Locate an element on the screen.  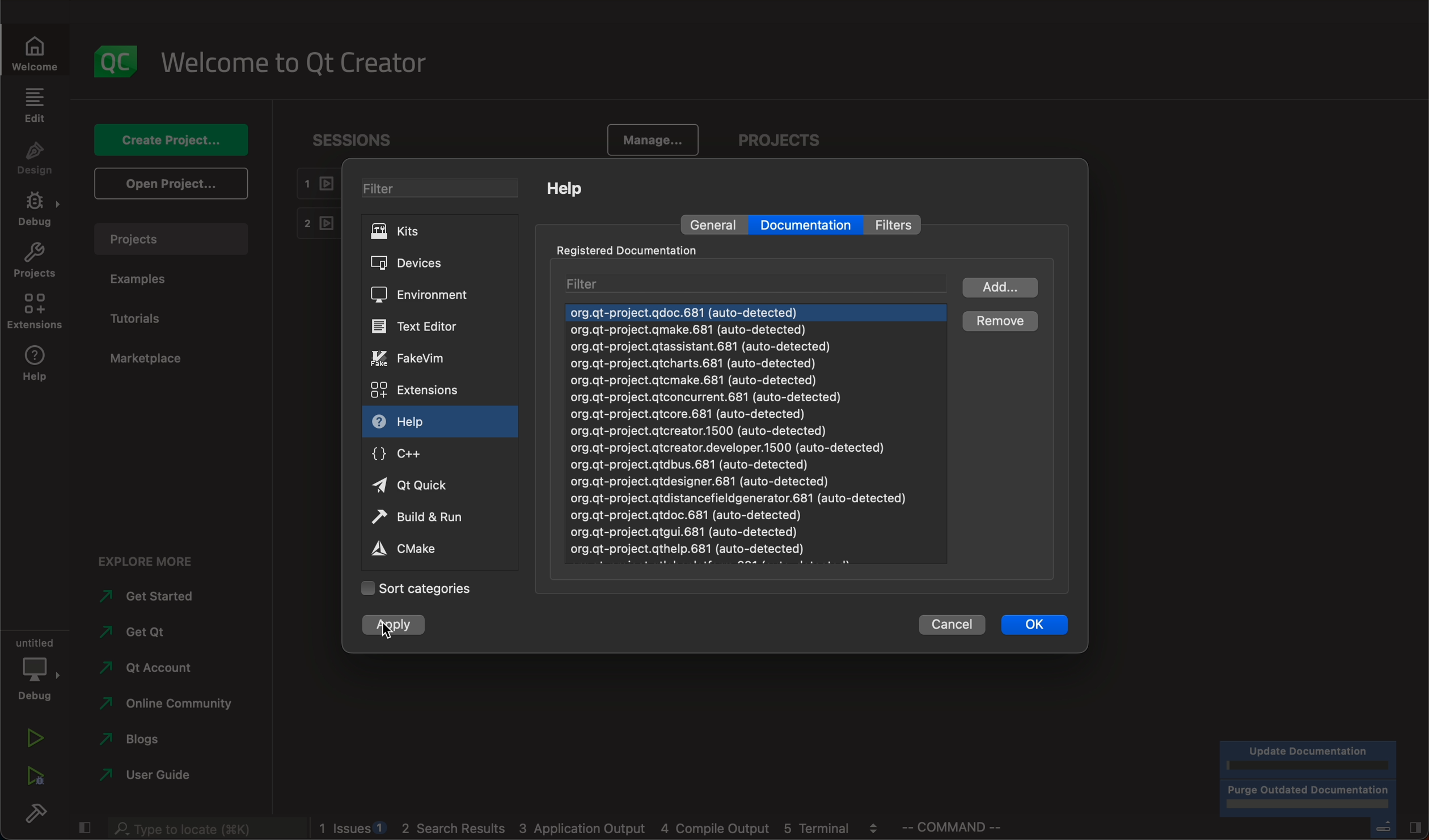
cancel is located at coordinates (938, 624).